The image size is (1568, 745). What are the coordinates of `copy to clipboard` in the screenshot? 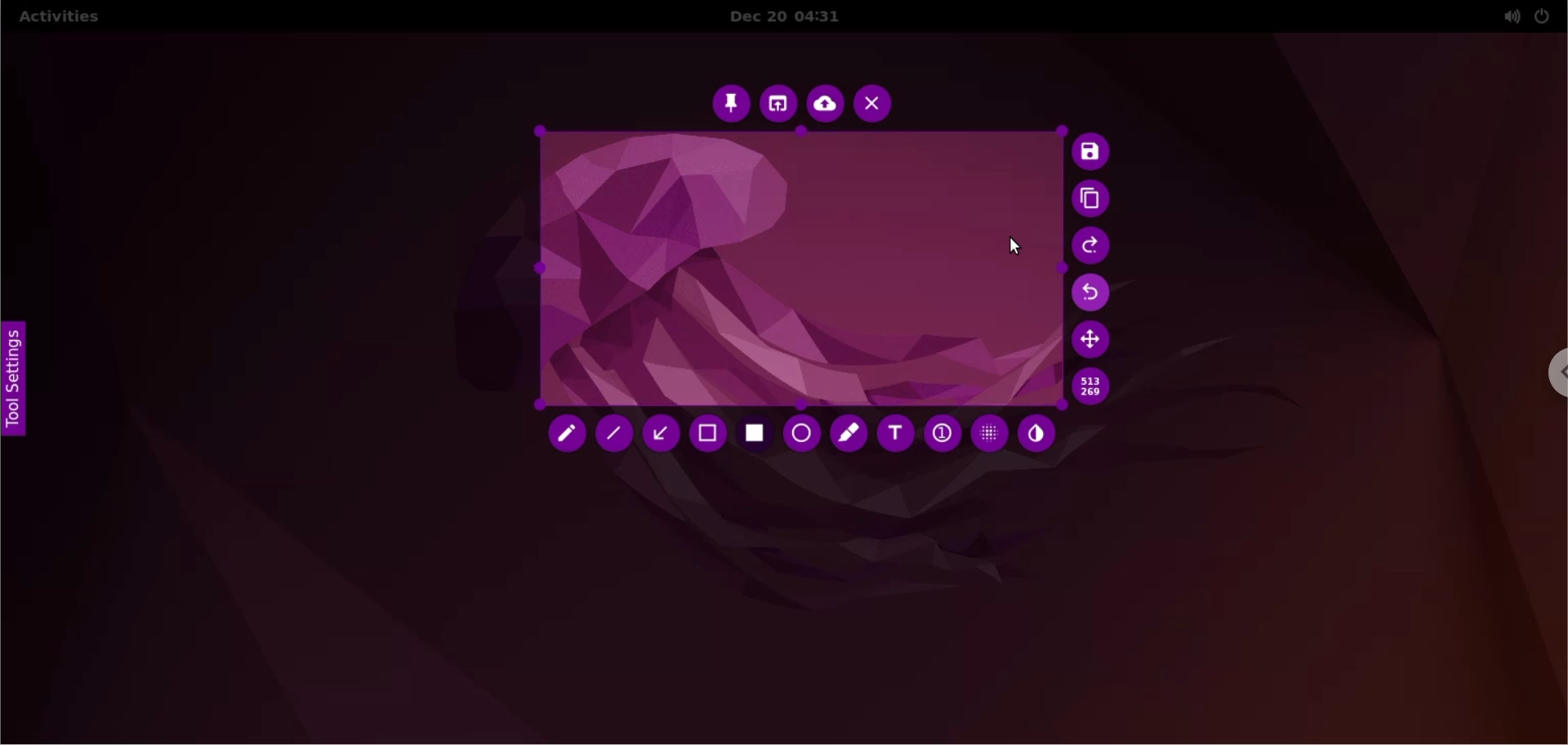 It's located at (1094, 200).